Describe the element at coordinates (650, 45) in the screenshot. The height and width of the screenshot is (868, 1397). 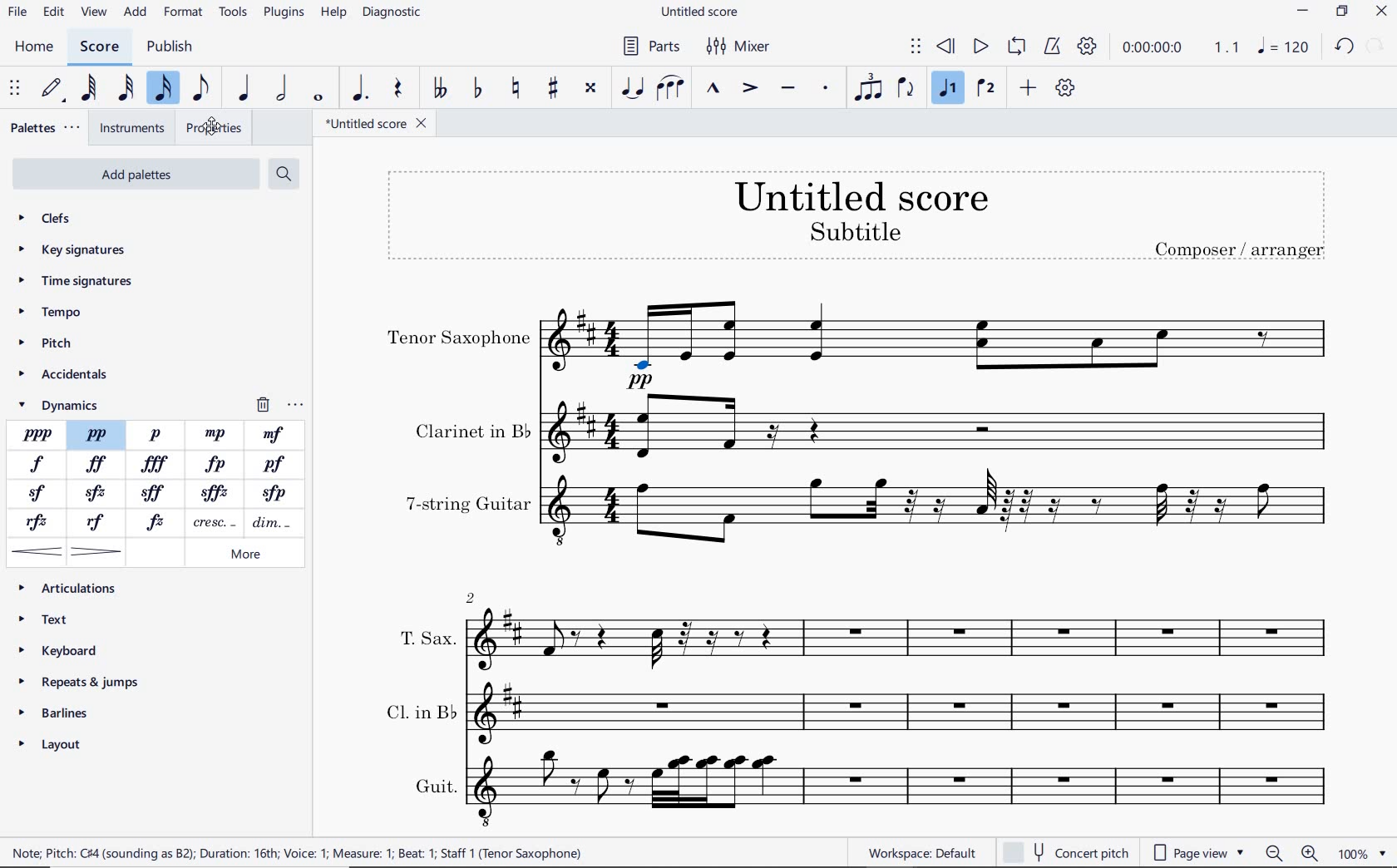
I see `PARTS` at that location.